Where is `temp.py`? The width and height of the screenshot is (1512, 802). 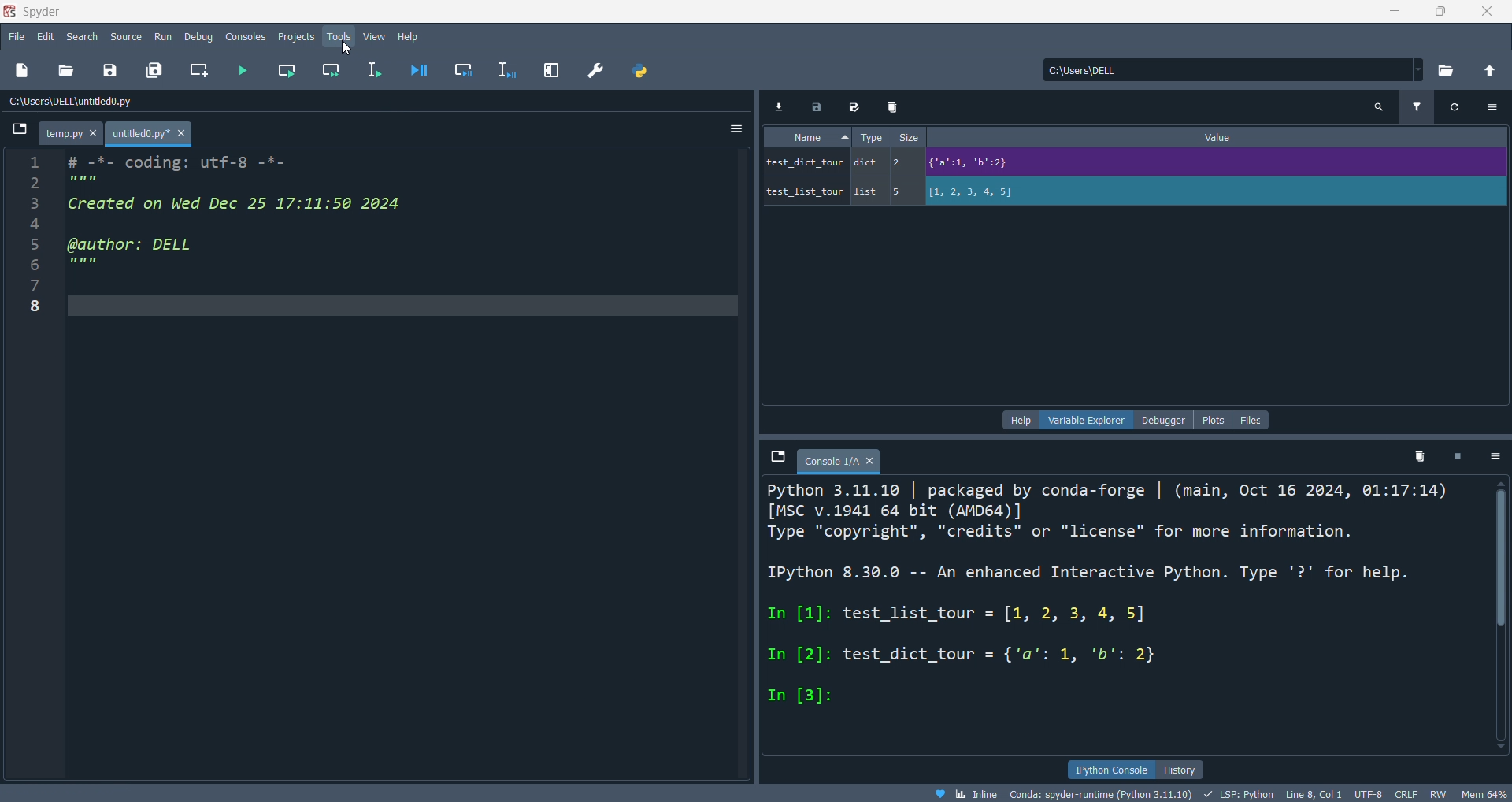
temp.py is located at coordinates (75, 132).